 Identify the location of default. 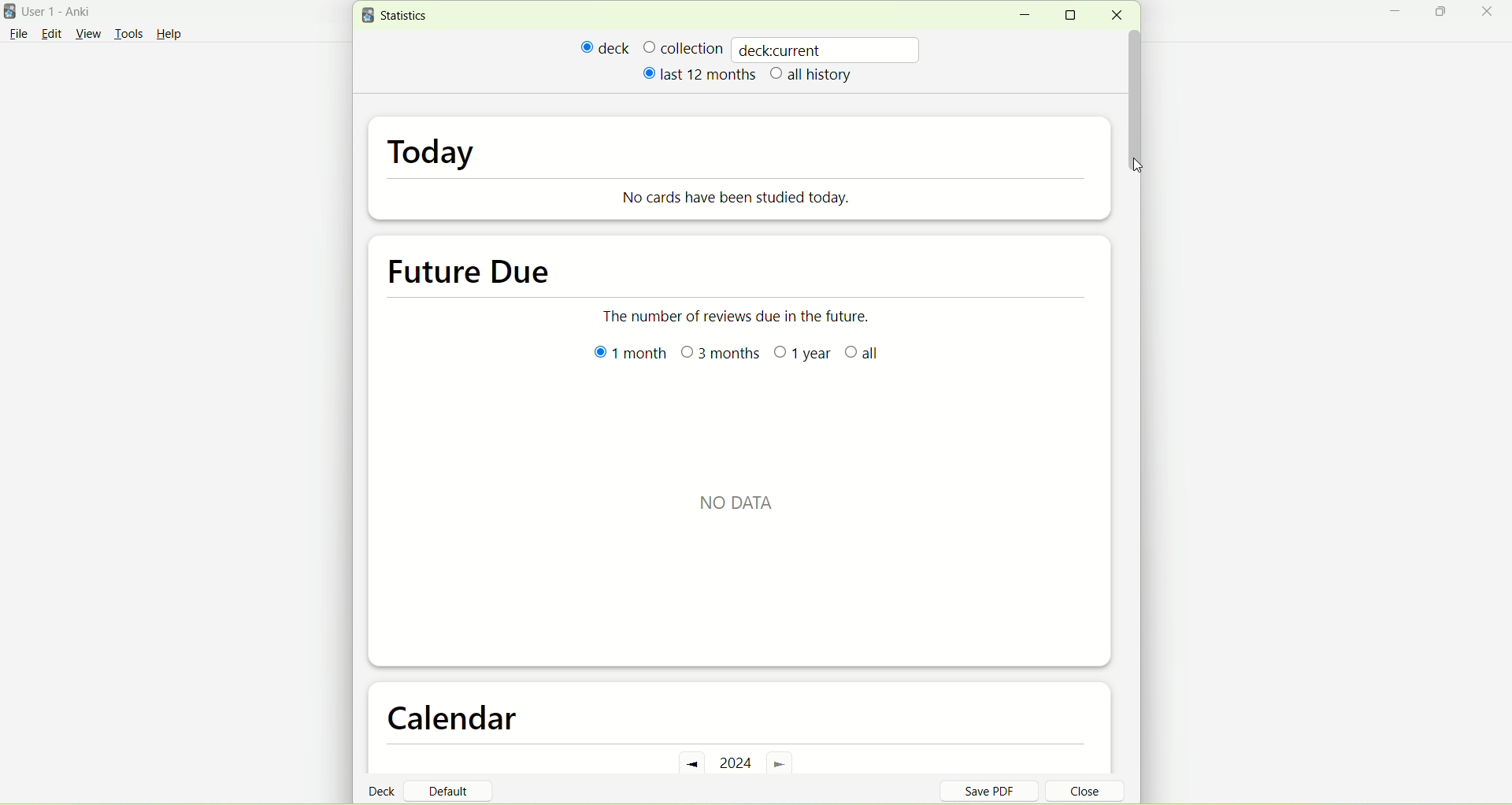
(454, 785).